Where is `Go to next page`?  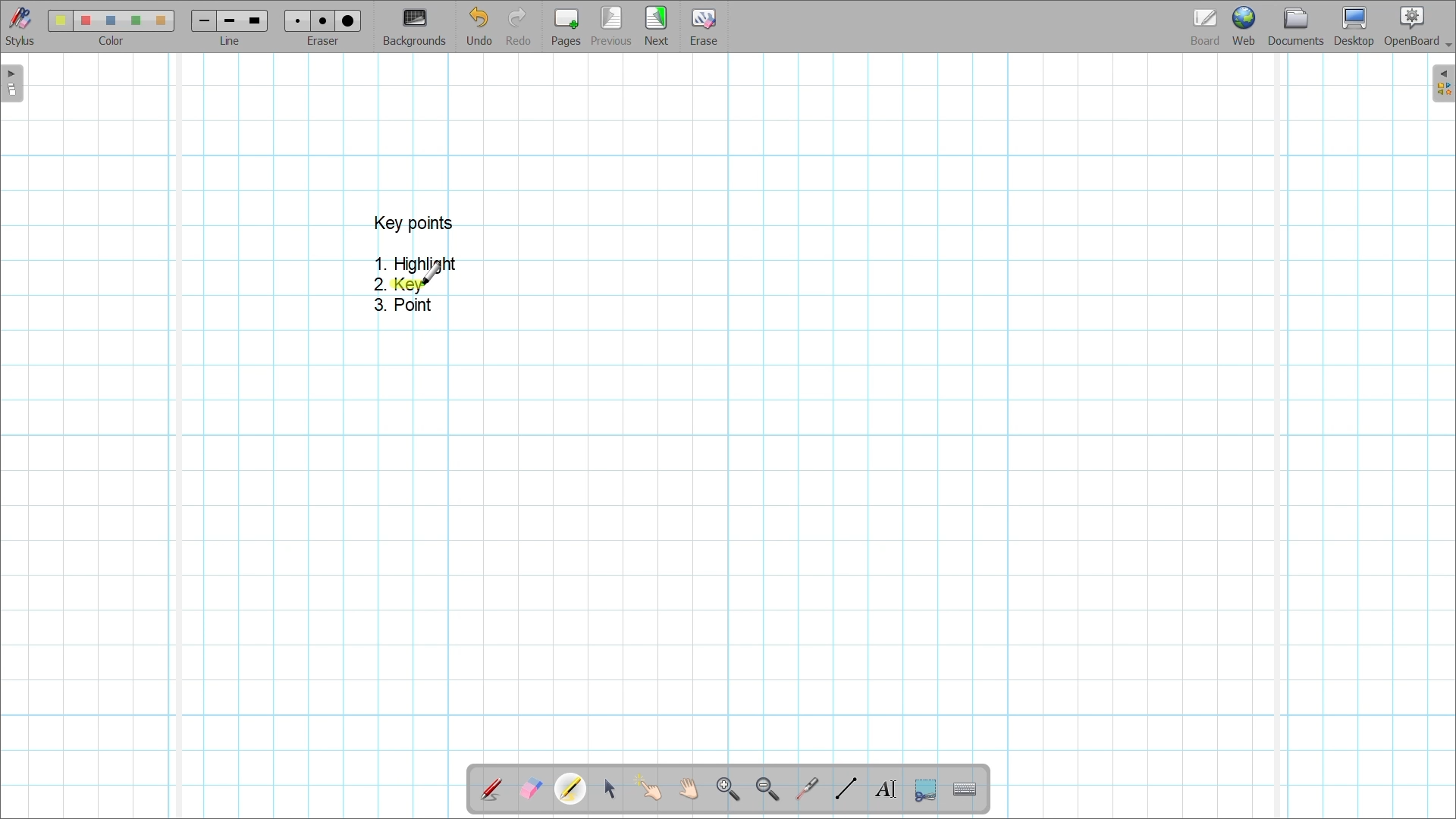 Go to next page is located at coordinates (656, 26).